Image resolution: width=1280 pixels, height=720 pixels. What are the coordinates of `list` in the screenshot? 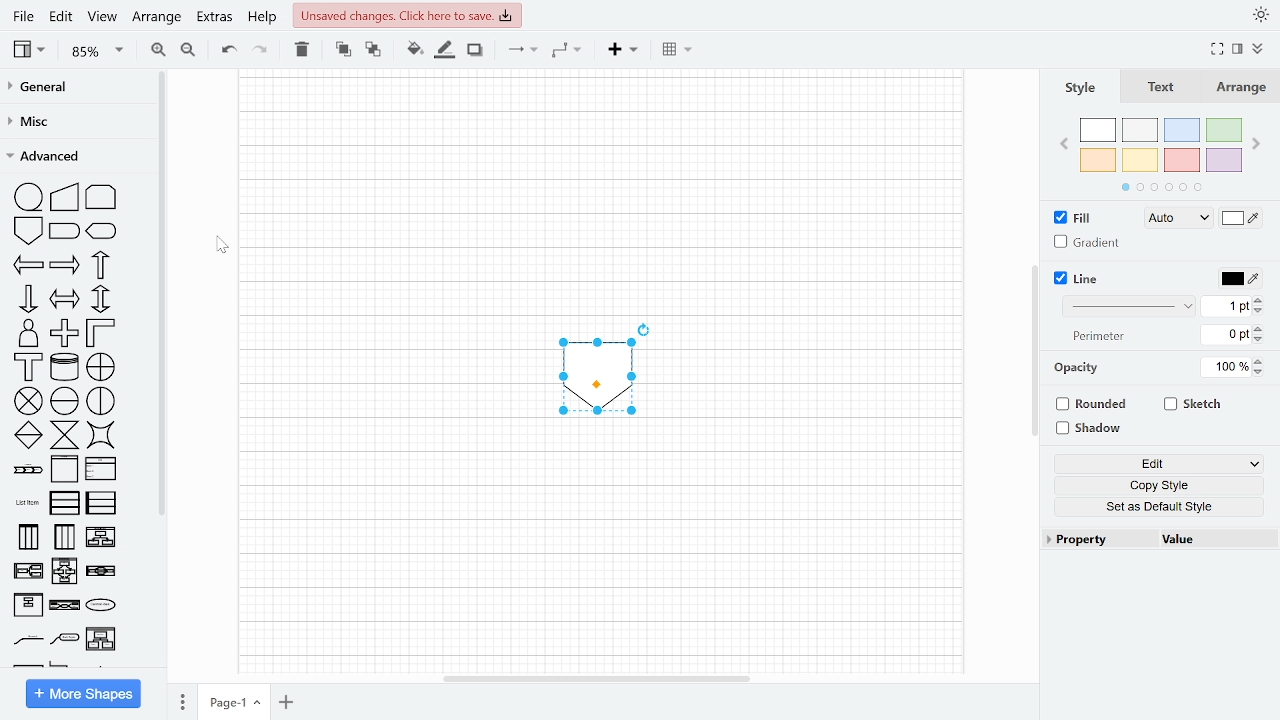 It's located at (102, 469).